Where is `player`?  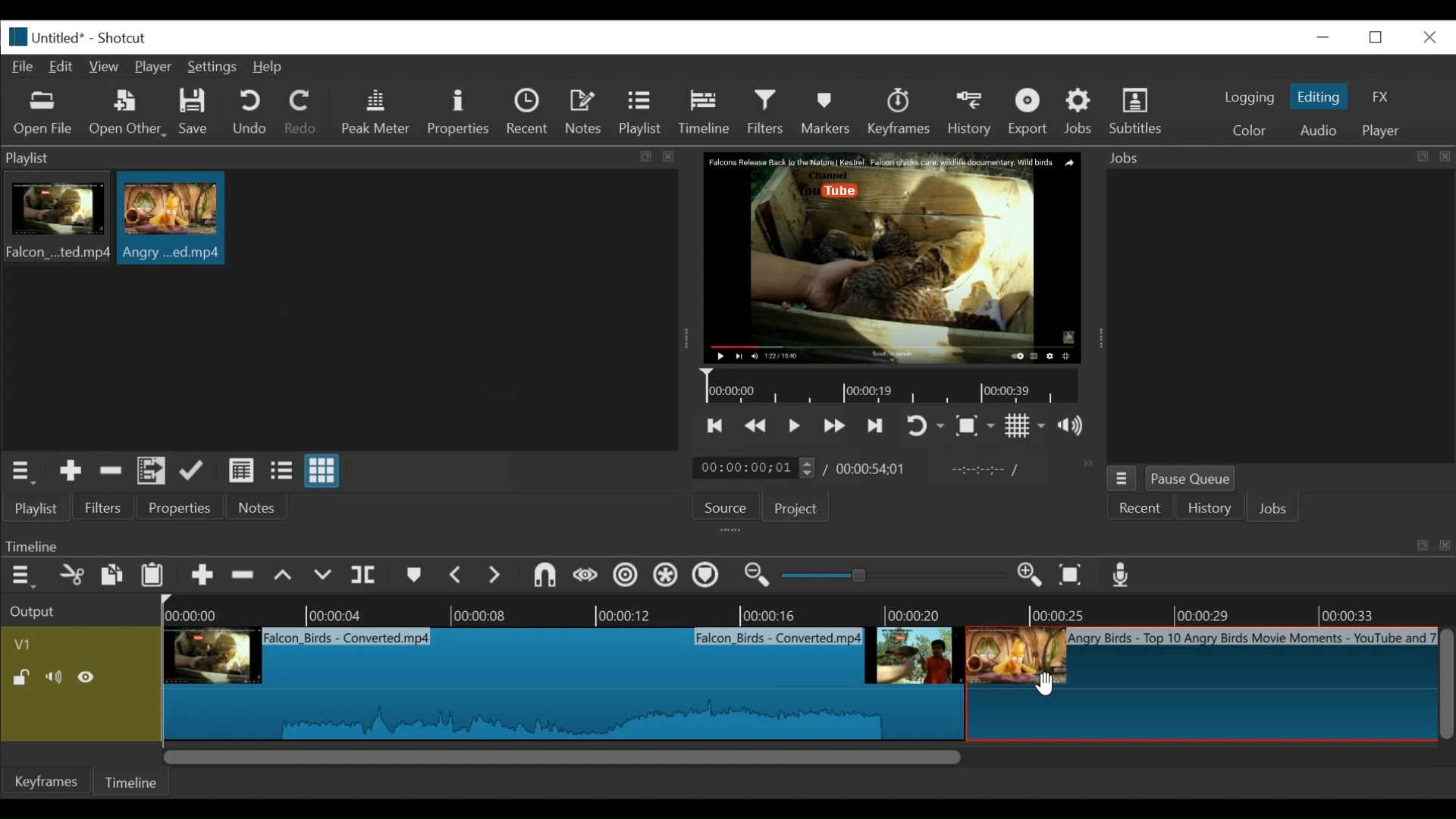 player is located at coordinates (1382, 131).